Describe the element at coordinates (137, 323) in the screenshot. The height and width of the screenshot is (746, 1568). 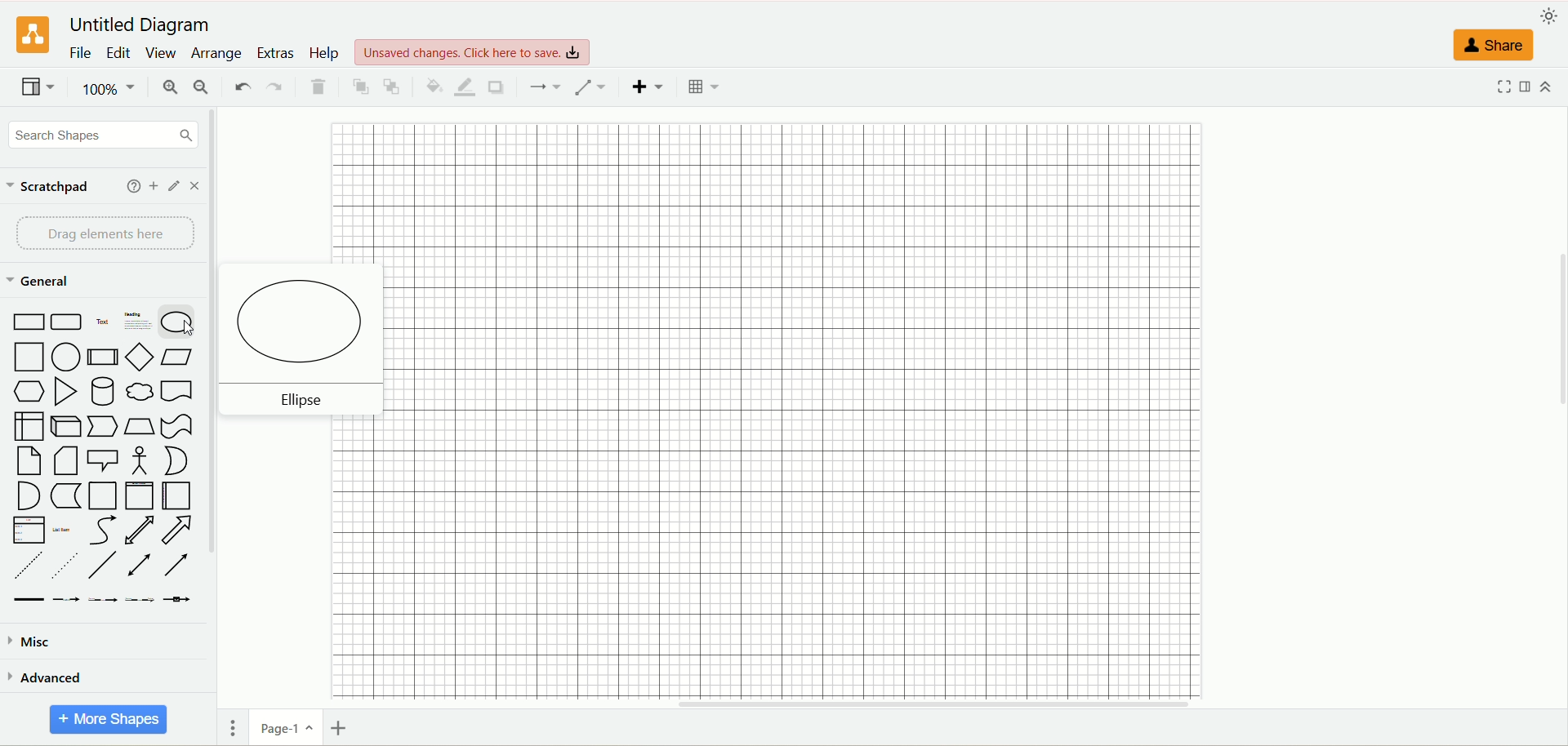
I see `textbox` at that location.